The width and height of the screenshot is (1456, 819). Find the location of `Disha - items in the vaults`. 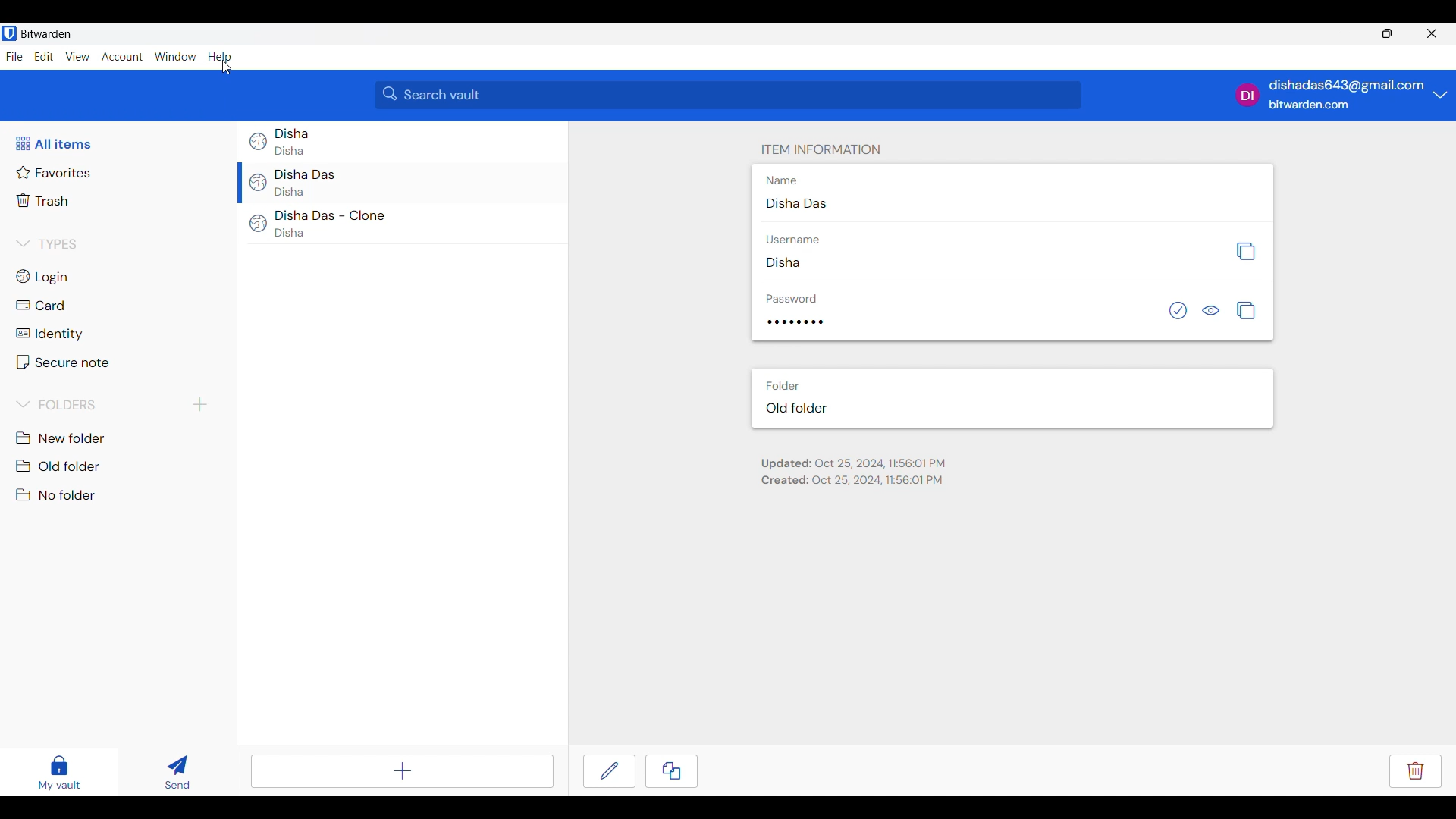

Disha - items in the vaults is located at coordinates (292, 133).